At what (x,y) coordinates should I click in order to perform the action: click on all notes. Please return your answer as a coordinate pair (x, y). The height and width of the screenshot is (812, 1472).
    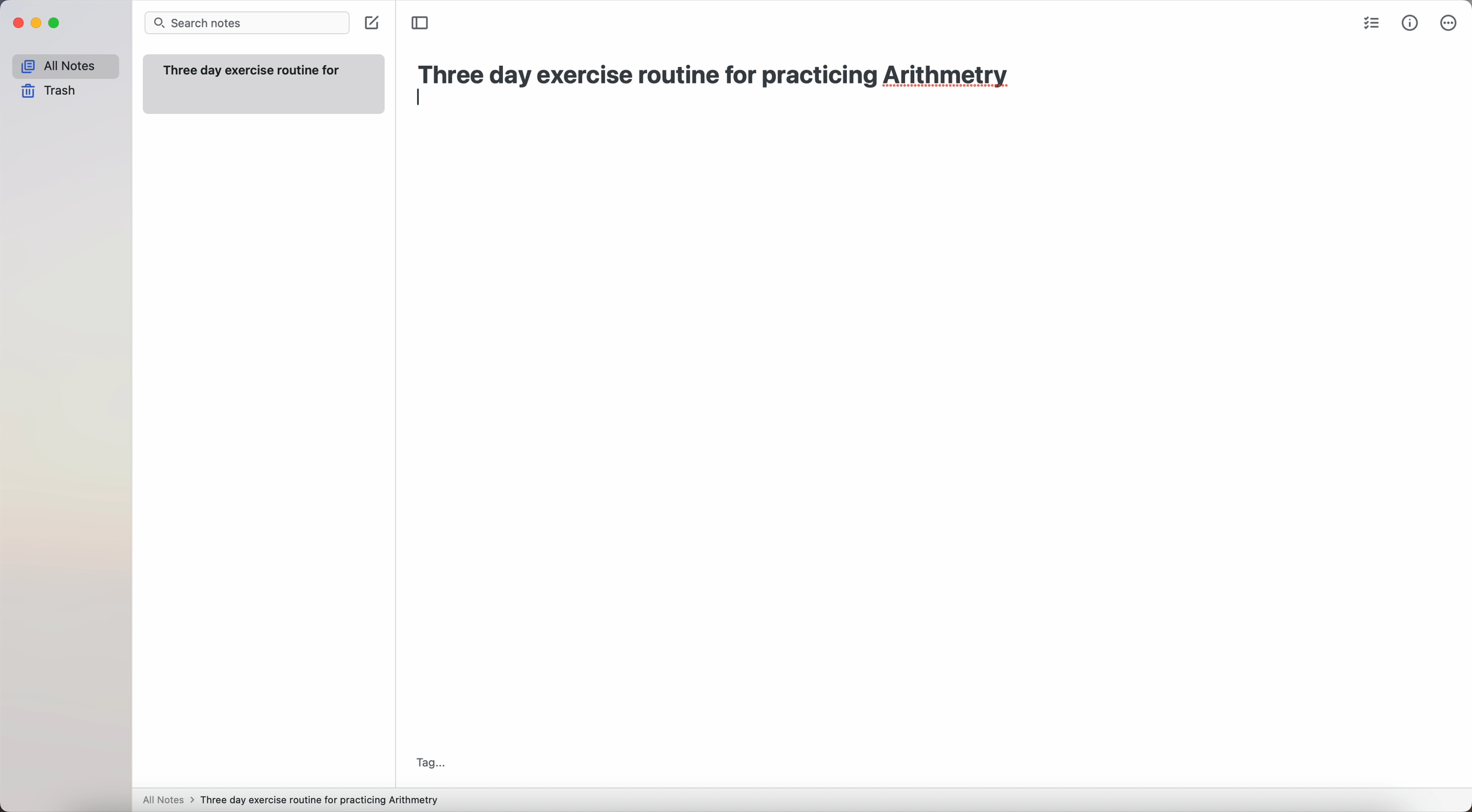
    Looking at the image, I should click on (67, 65).